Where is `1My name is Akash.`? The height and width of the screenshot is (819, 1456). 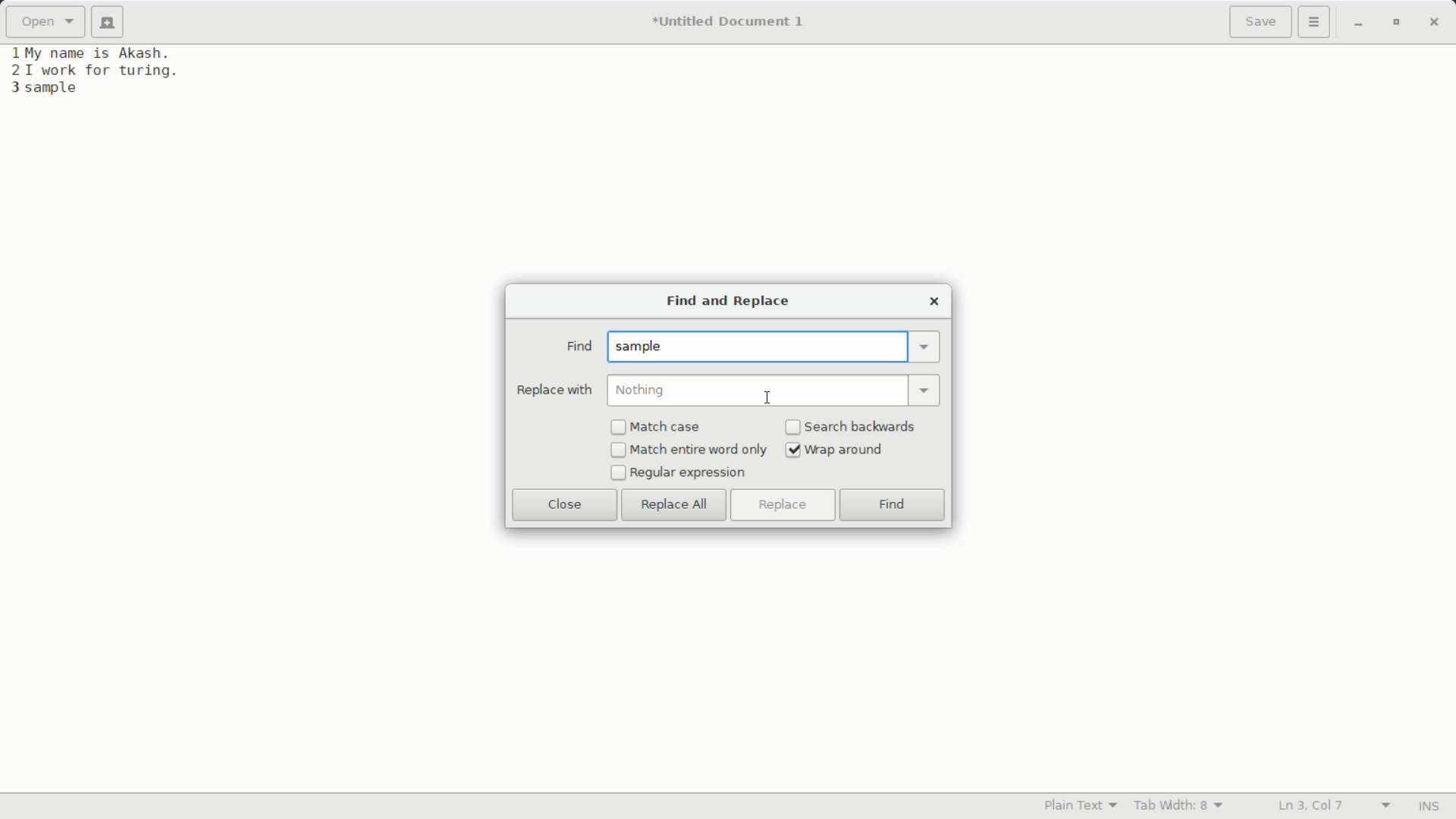 1My name is Akash. is located at coordinates (93, 52).